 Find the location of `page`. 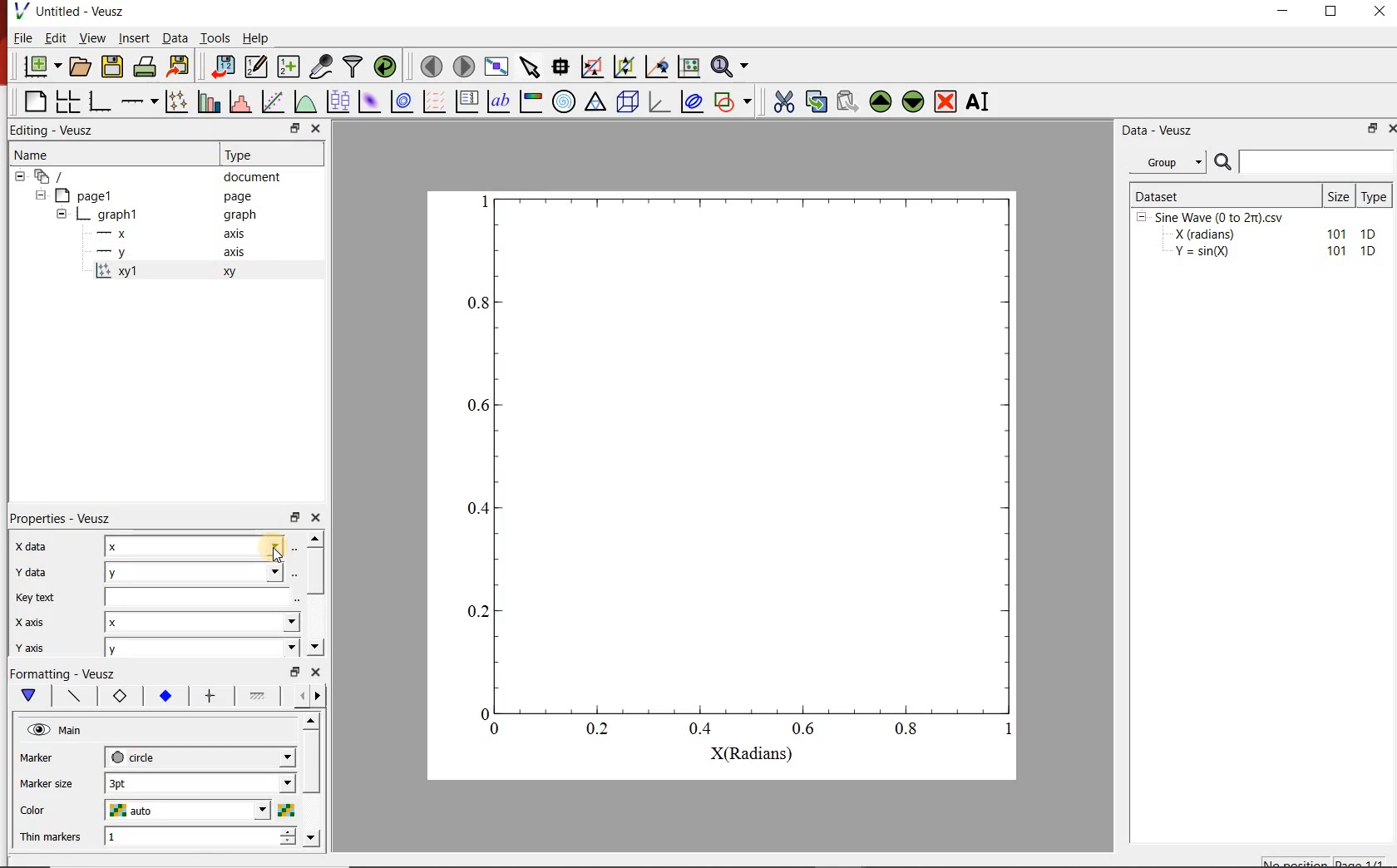

page is located at coordinates (238, 197).